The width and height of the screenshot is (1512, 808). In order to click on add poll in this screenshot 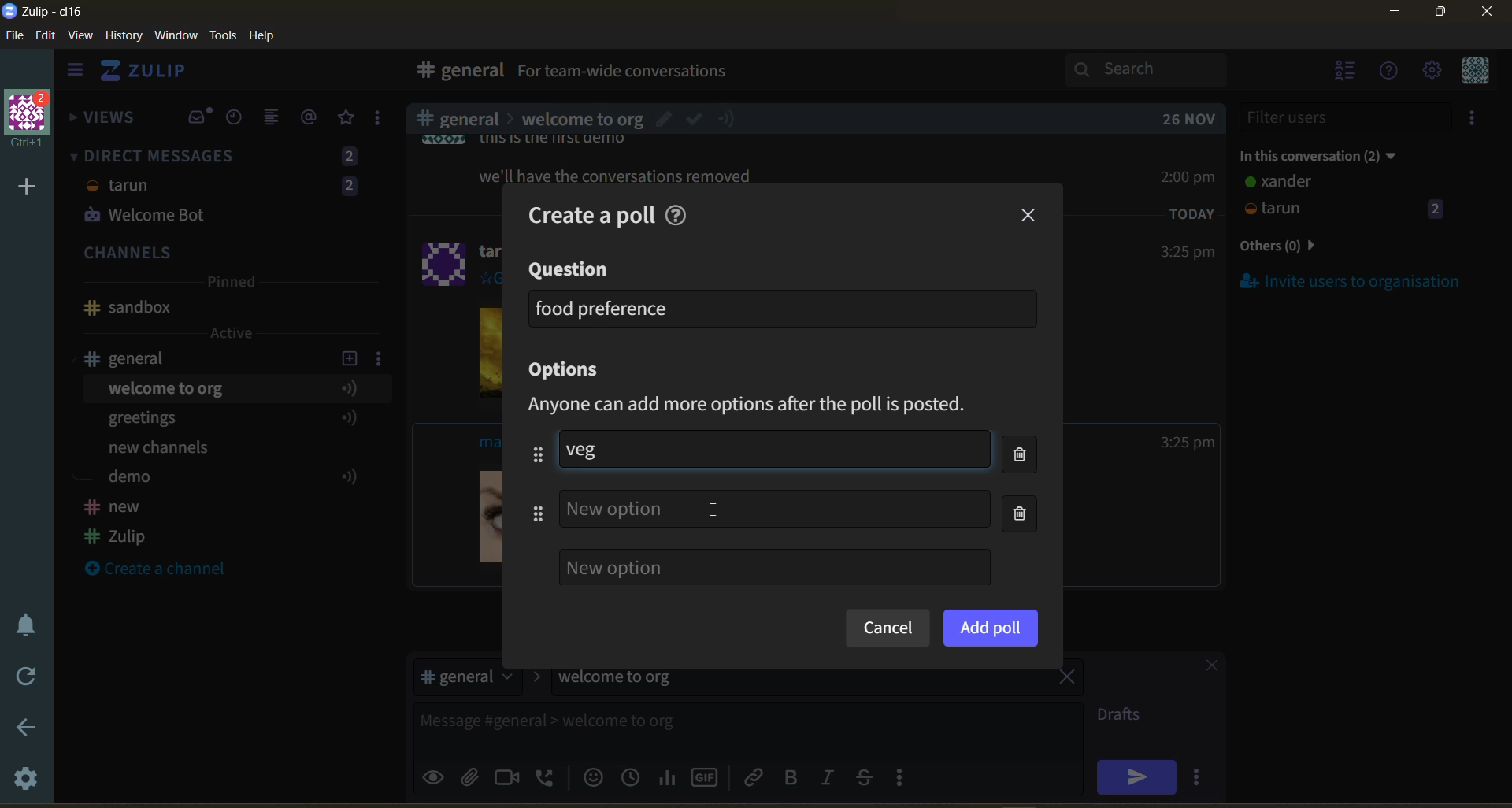, I will do `click(991, 627)`.